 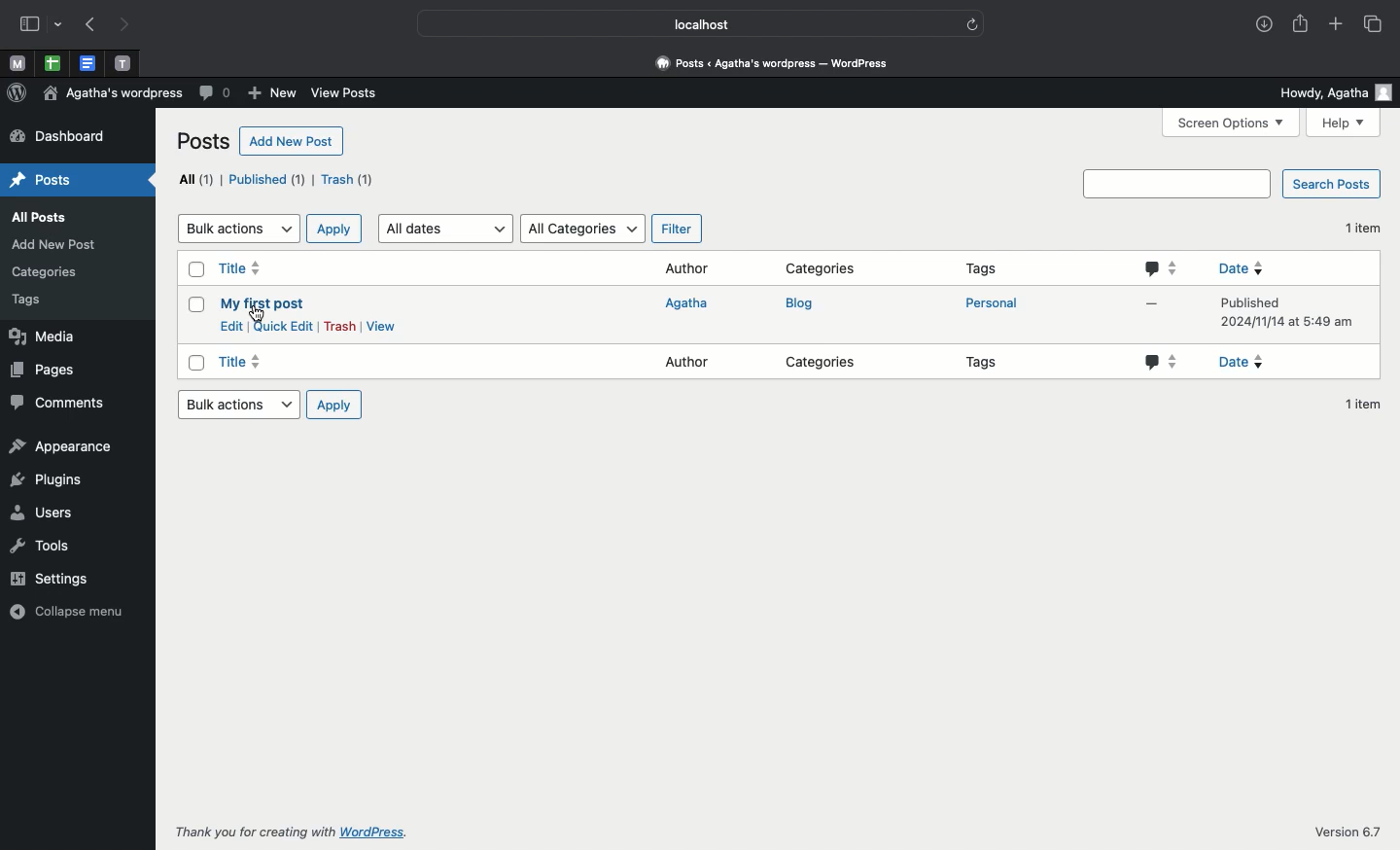 I want to click on Posts, so click(x=55, y=178).